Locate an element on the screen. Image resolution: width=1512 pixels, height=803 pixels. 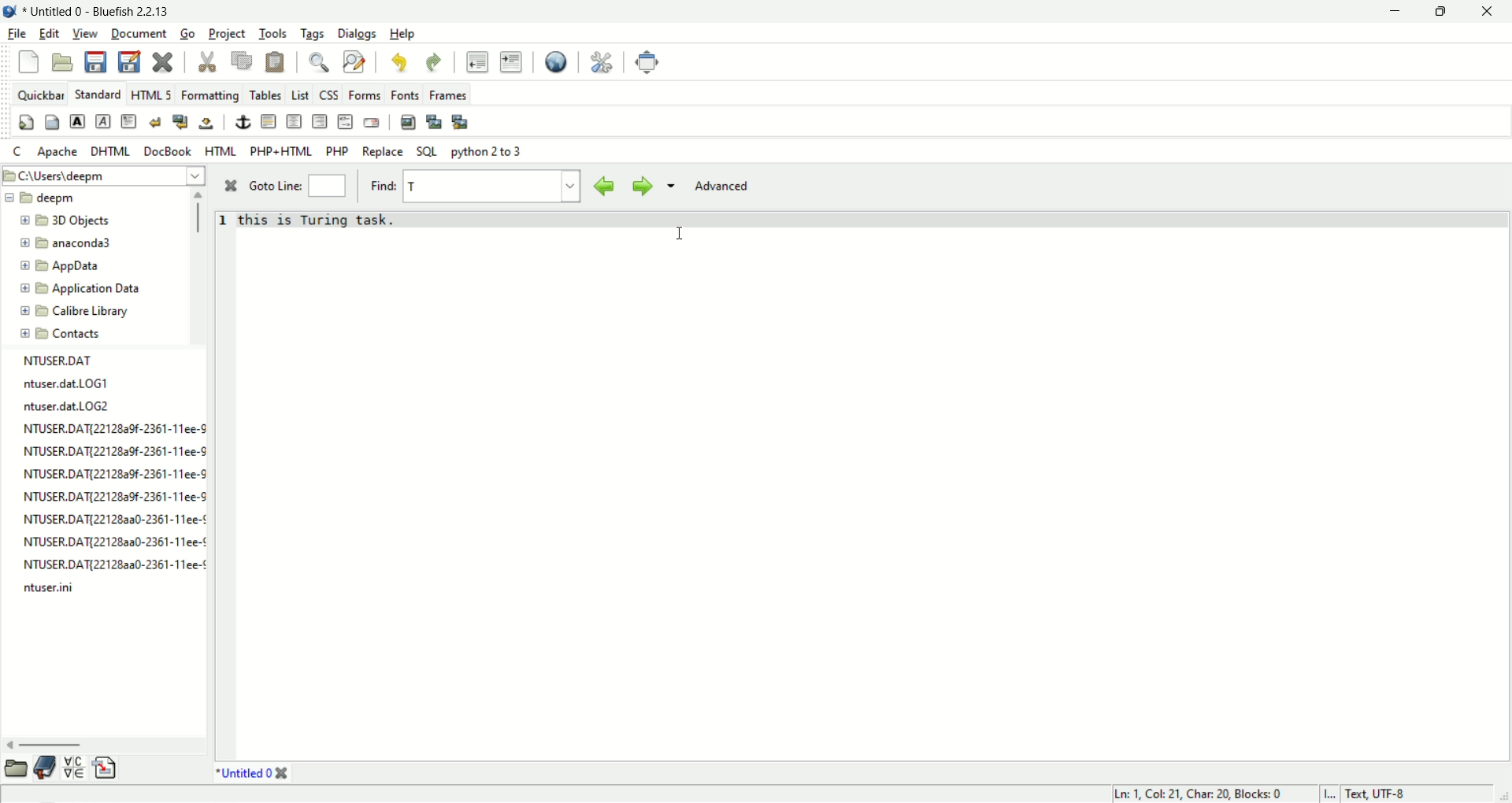
folder name is located at coordinates (74, 332).